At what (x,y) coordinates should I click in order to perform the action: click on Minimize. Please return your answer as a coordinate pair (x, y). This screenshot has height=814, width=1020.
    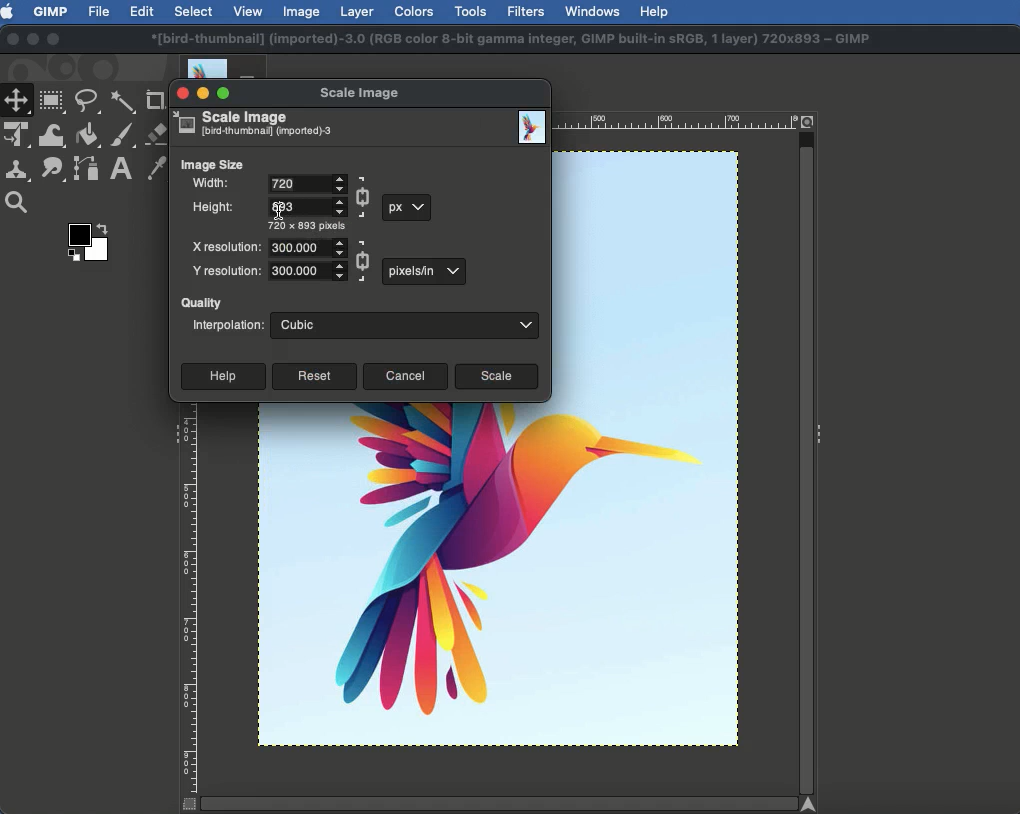
    Looking at the image, I should click on (32, 38).